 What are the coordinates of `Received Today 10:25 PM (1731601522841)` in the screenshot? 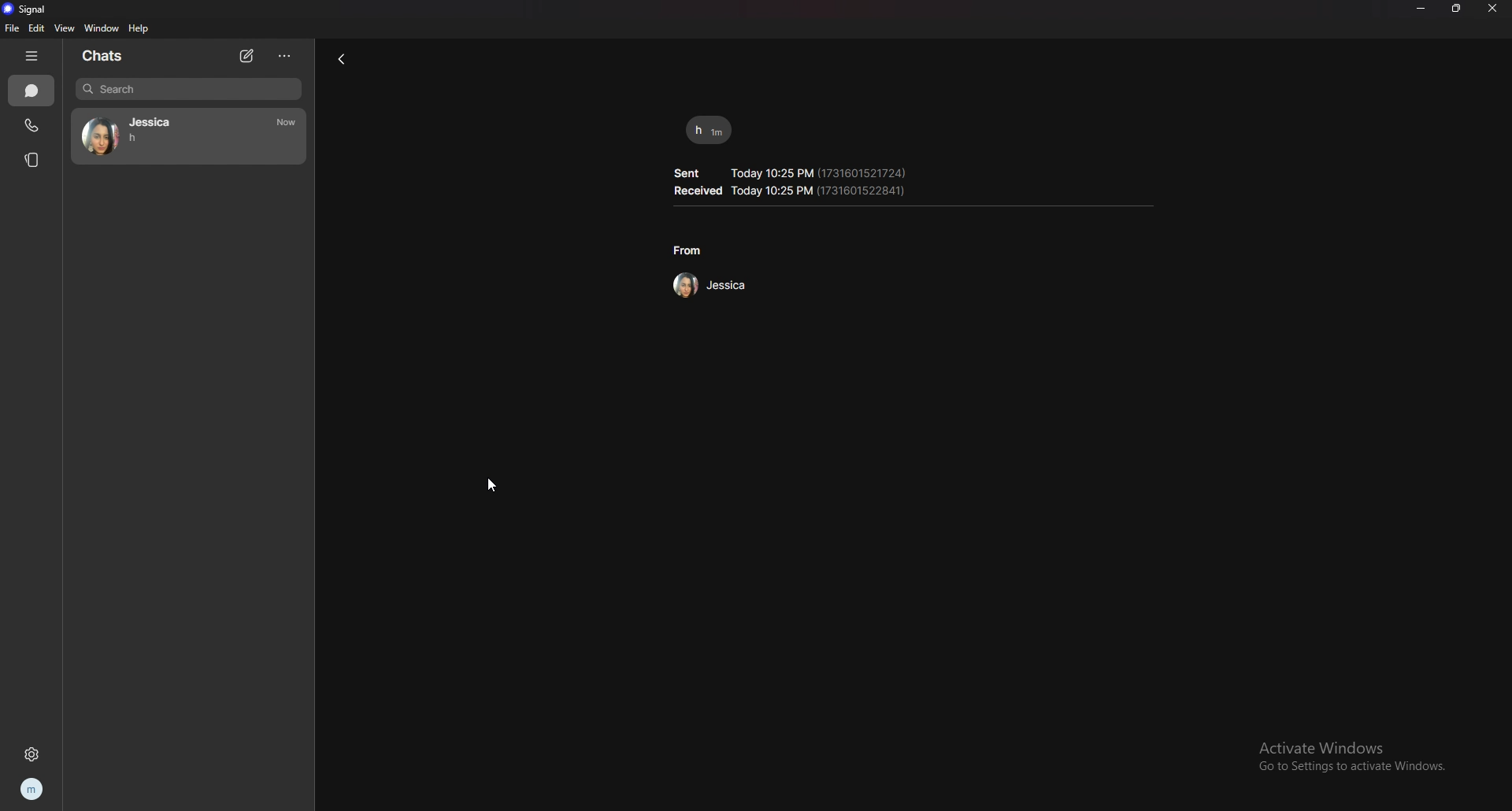 It's located at (791, 191).